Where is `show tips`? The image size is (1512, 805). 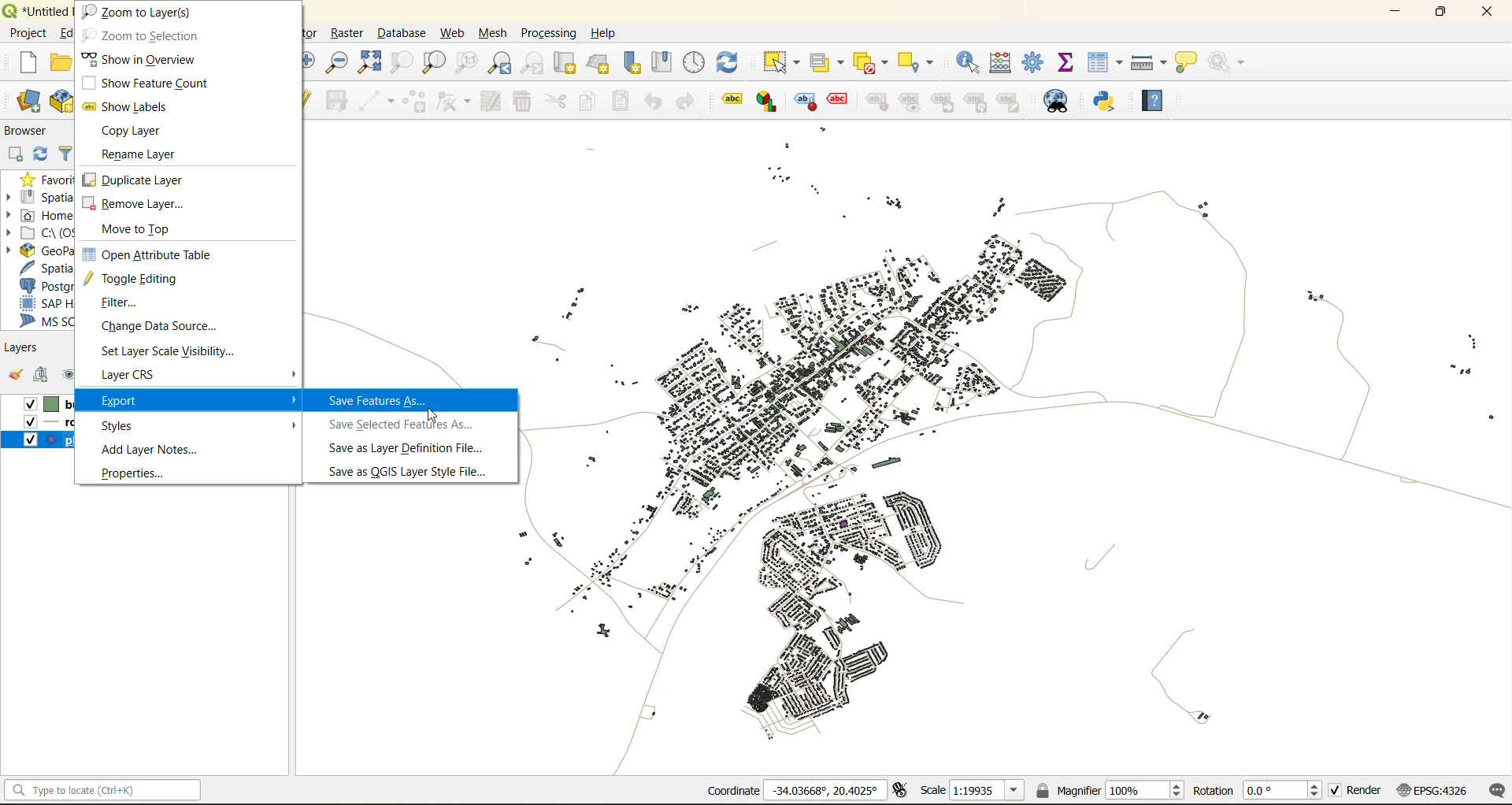 show tips is located at coordinates (1190, 63).